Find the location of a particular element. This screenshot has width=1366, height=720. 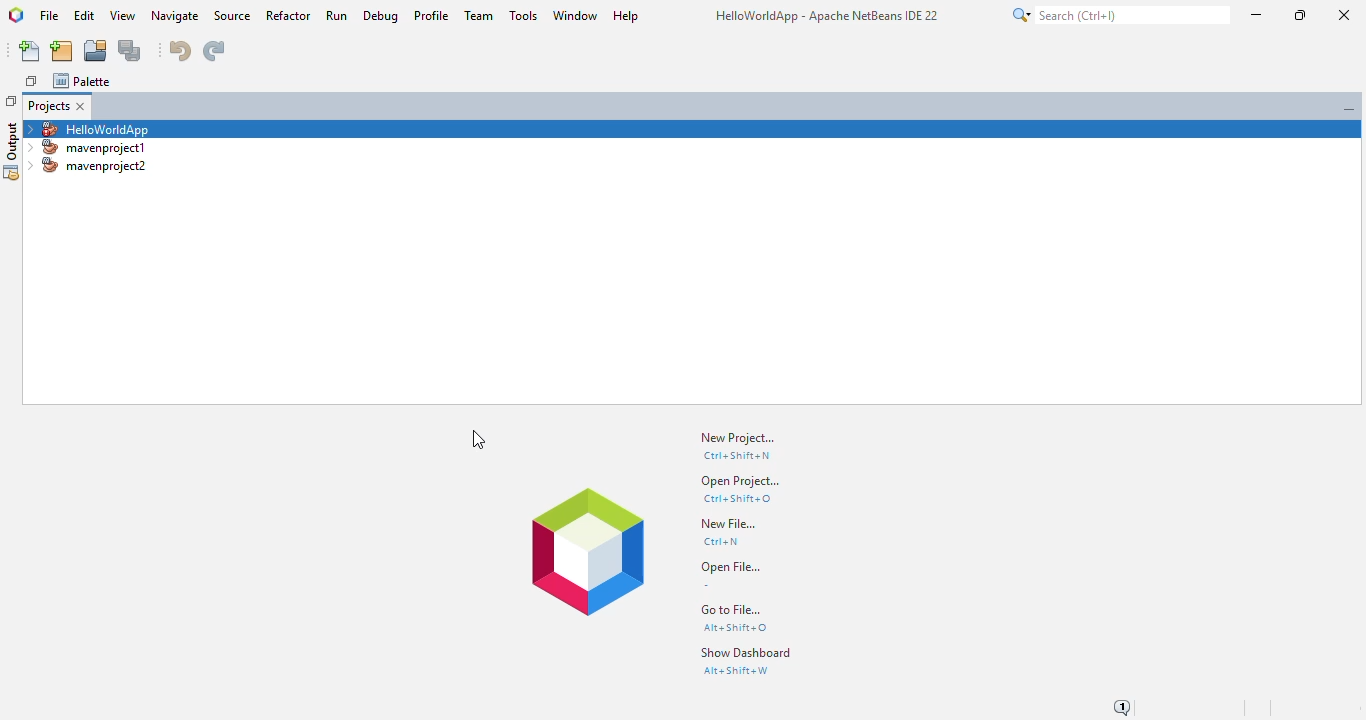

restore window group is located at coordinates (31, 80).